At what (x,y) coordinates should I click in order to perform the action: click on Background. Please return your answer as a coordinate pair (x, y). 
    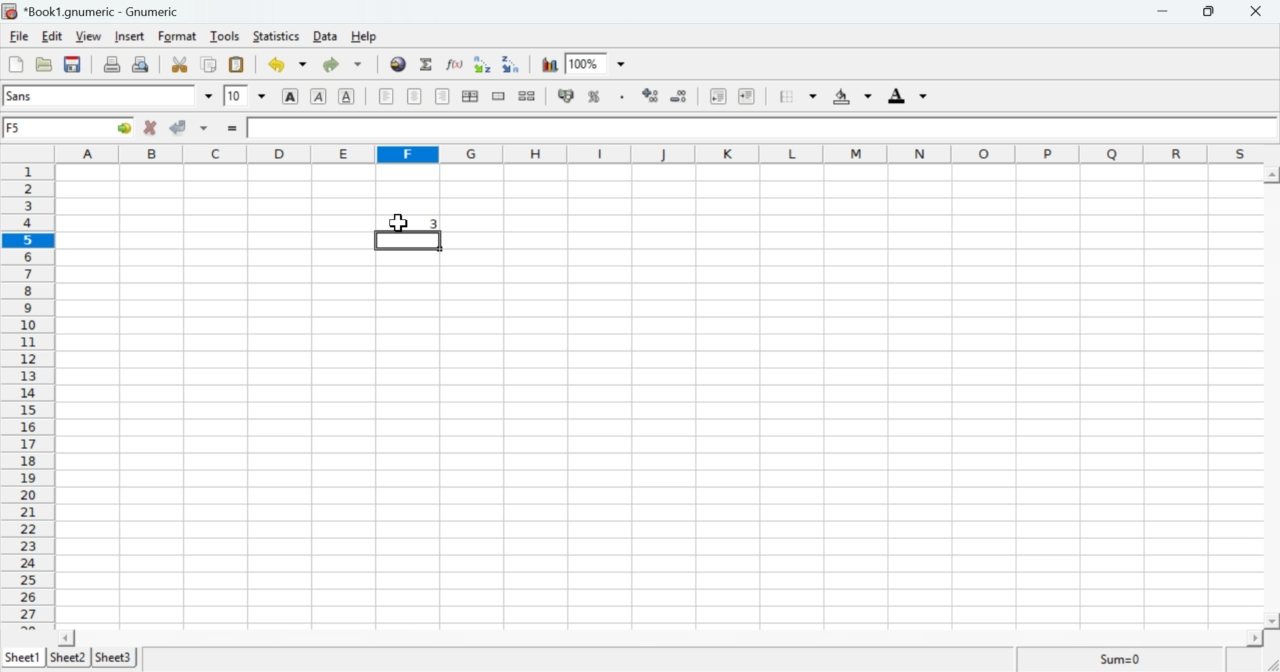
    Looking at the image, I should click on (847, 96).